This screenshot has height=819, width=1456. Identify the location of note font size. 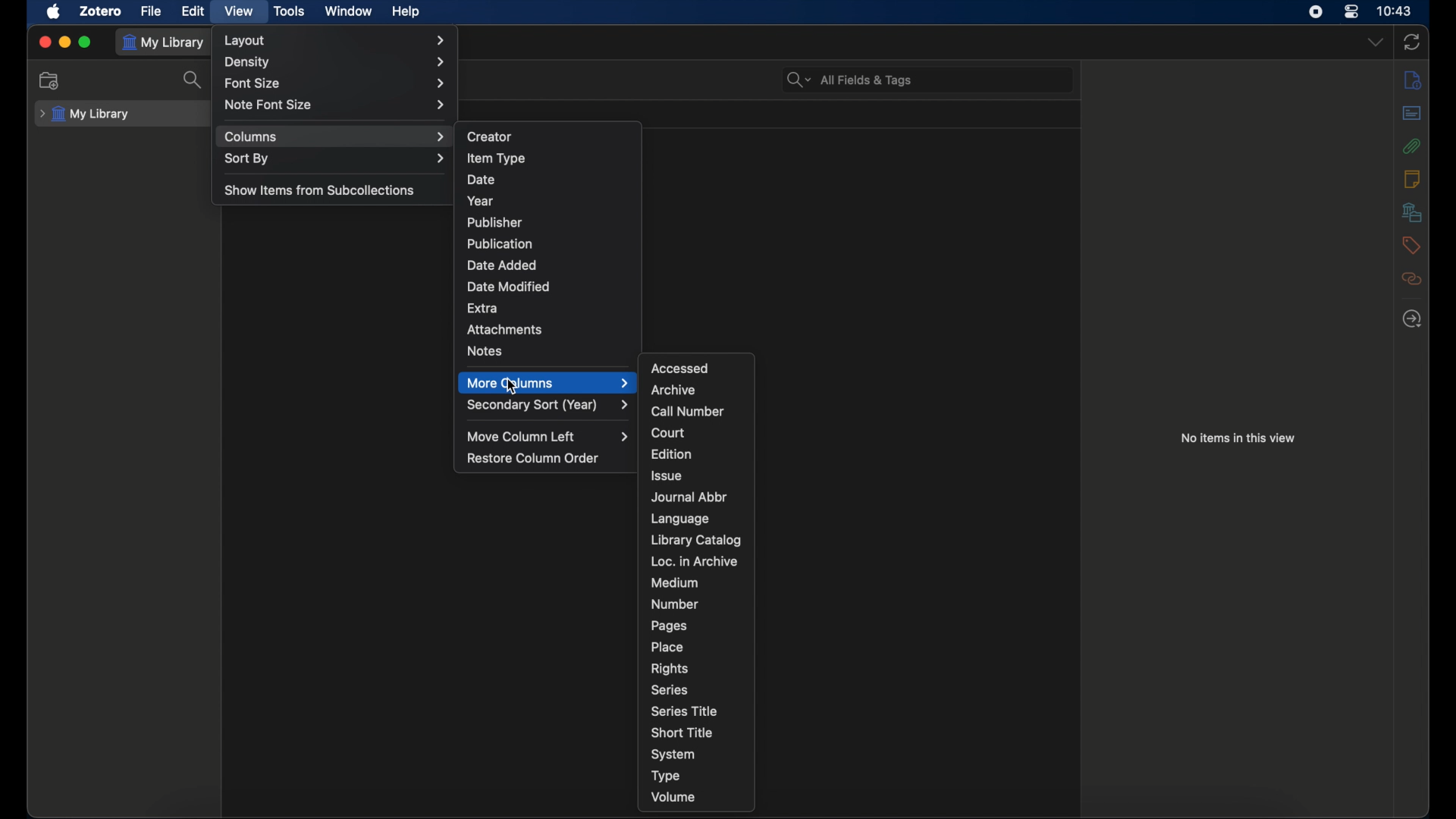
(335, 105).